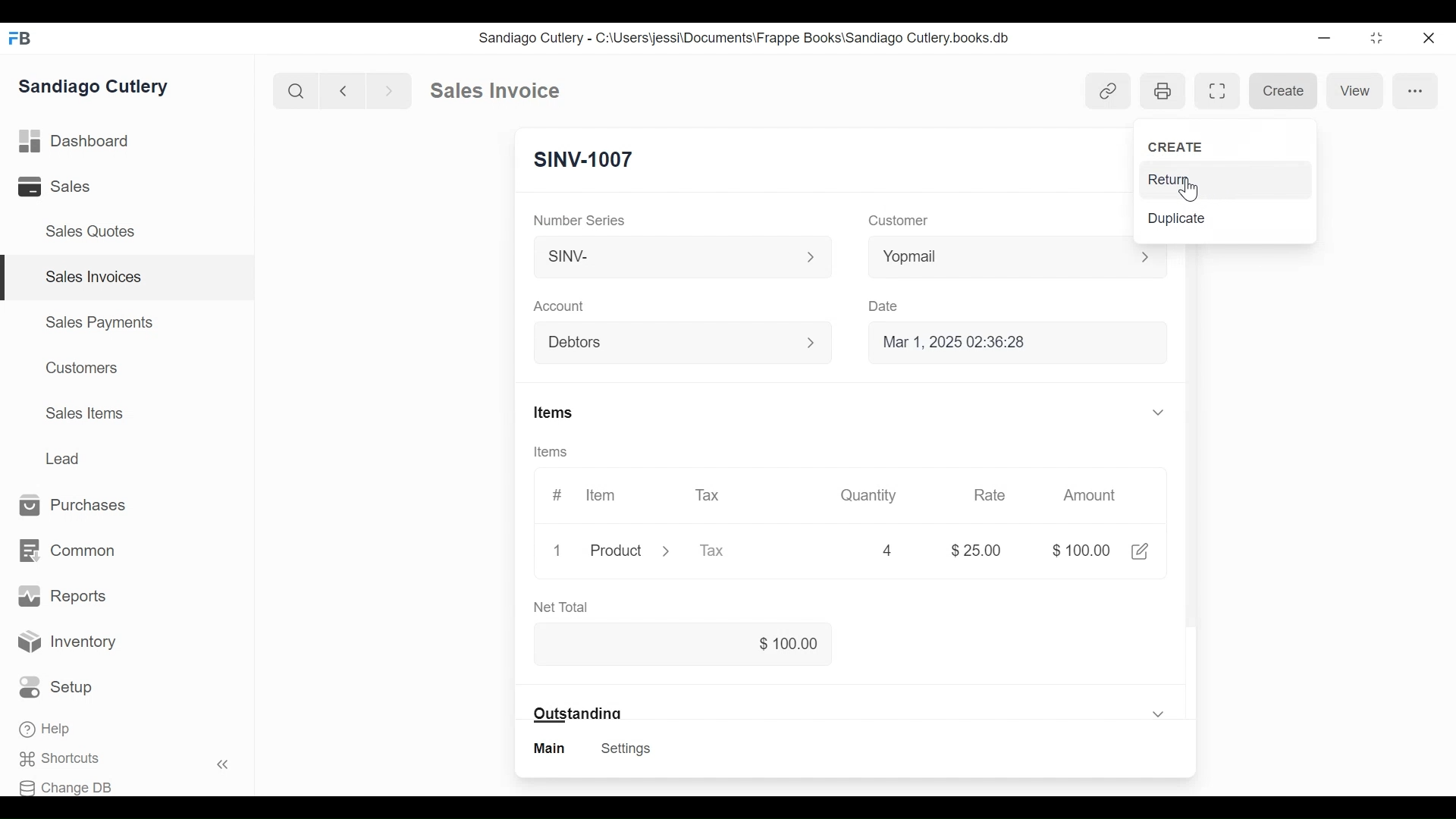  What do you see at coordinates (602, 495) in the screenshot?
I see `Item` at bounding box center [602, 495].